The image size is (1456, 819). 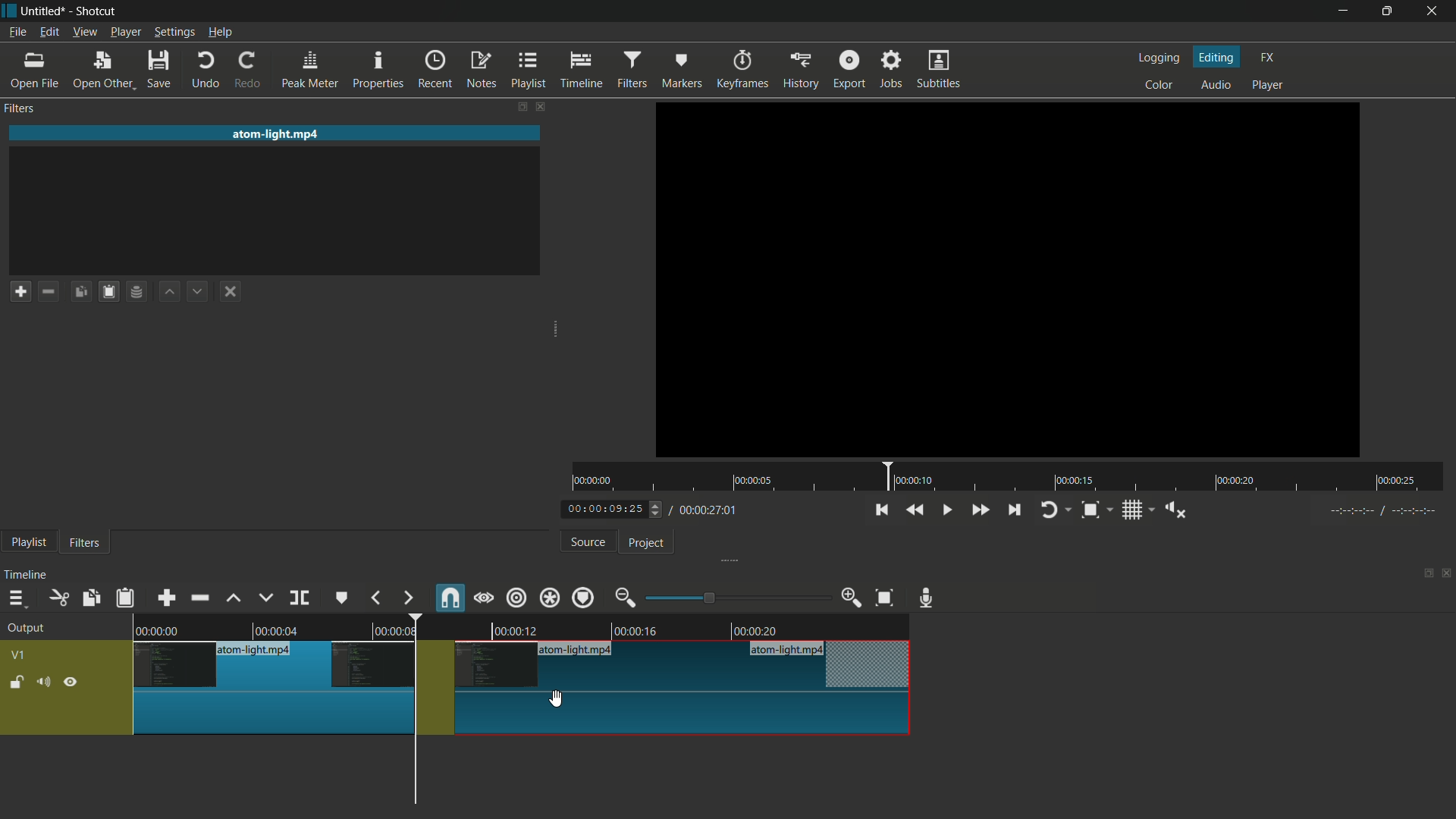 I want to click on save filter set, so click(x=140, y=293).